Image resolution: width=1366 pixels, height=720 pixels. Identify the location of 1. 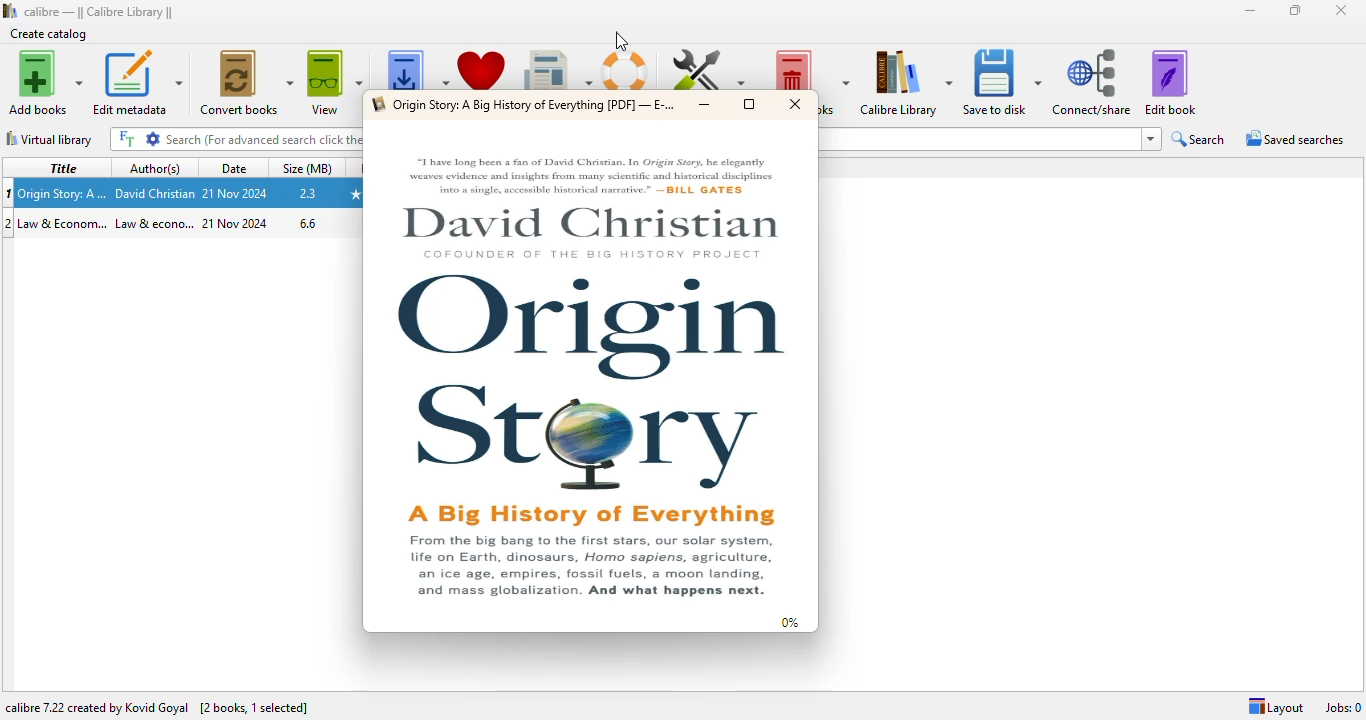
(9, 193).